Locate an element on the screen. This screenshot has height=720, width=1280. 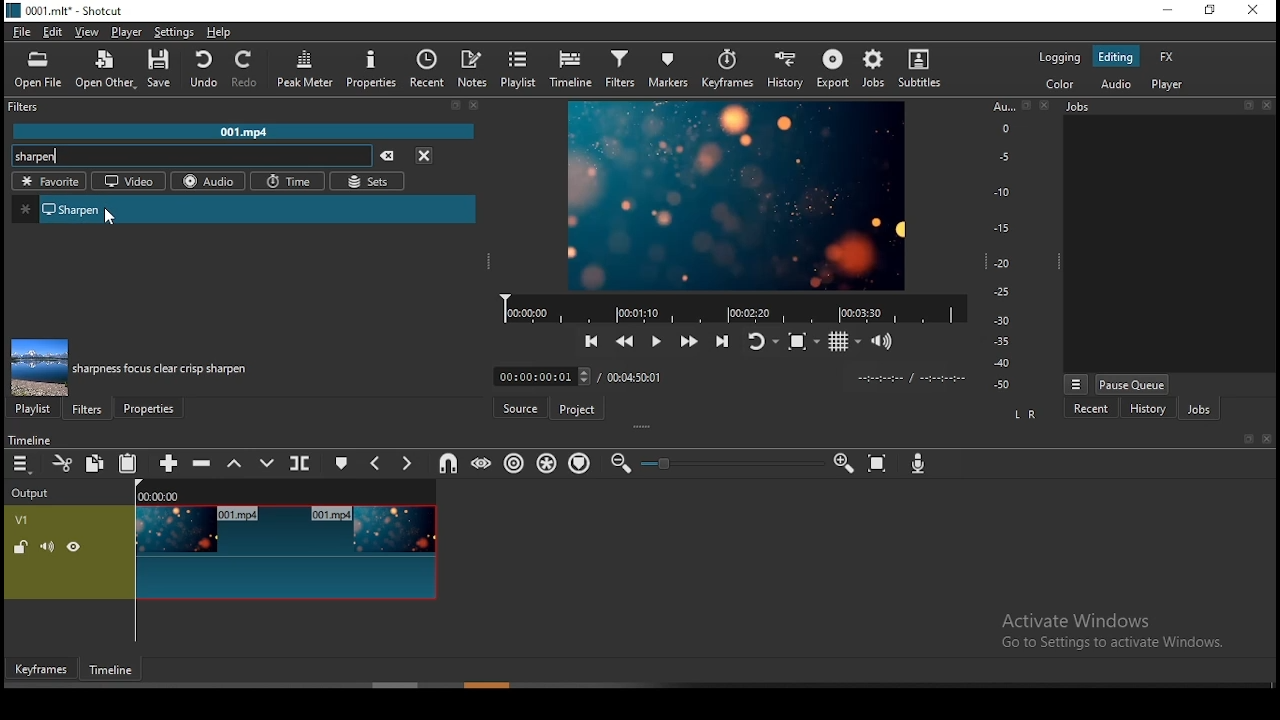
timeframe is located at coordinates (111, 670).